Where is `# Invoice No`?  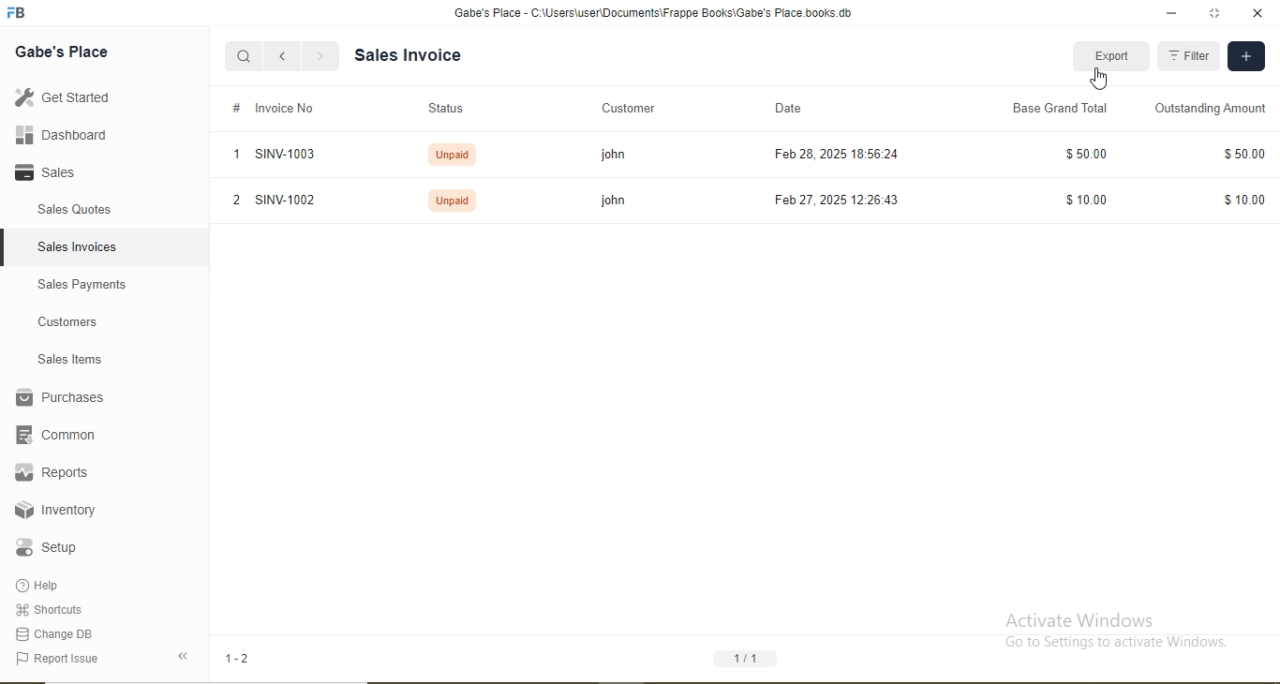
# Invoice No is located at coordinates (267, 108).